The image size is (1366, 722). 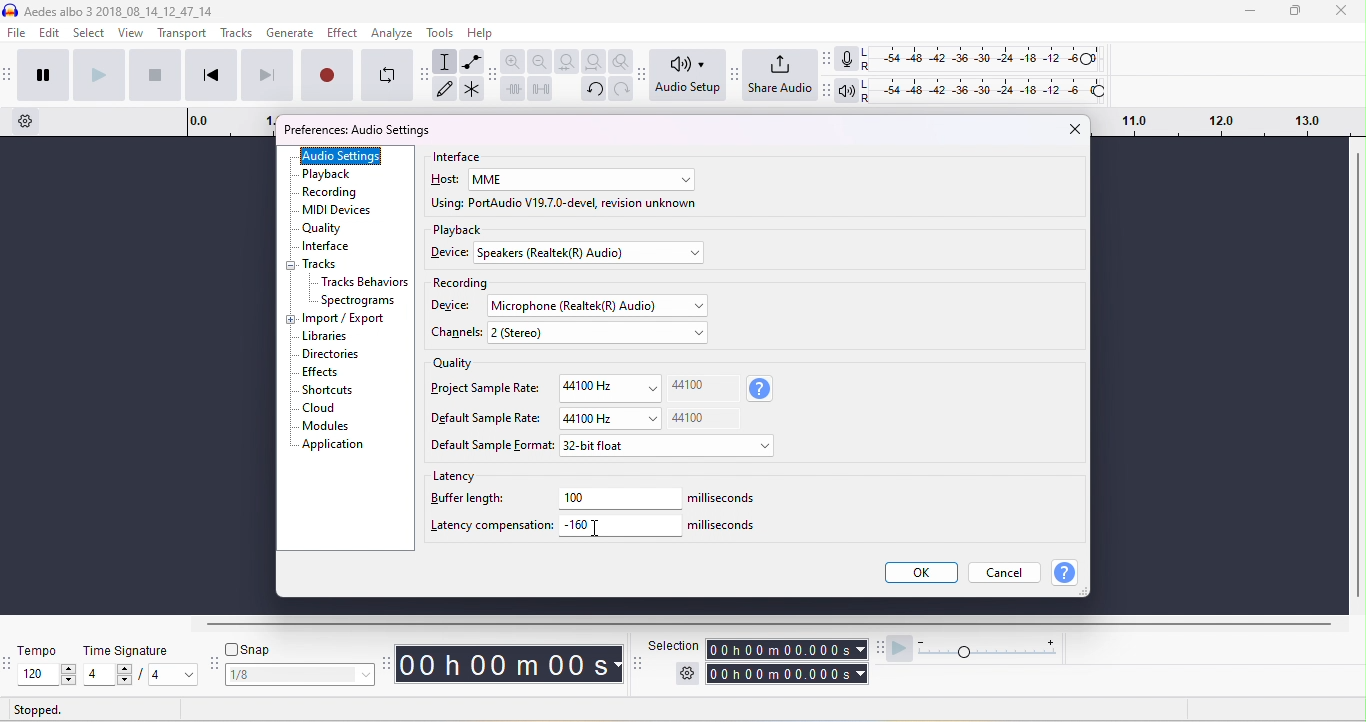 I want to click on latency, so click(x=457, y=475).